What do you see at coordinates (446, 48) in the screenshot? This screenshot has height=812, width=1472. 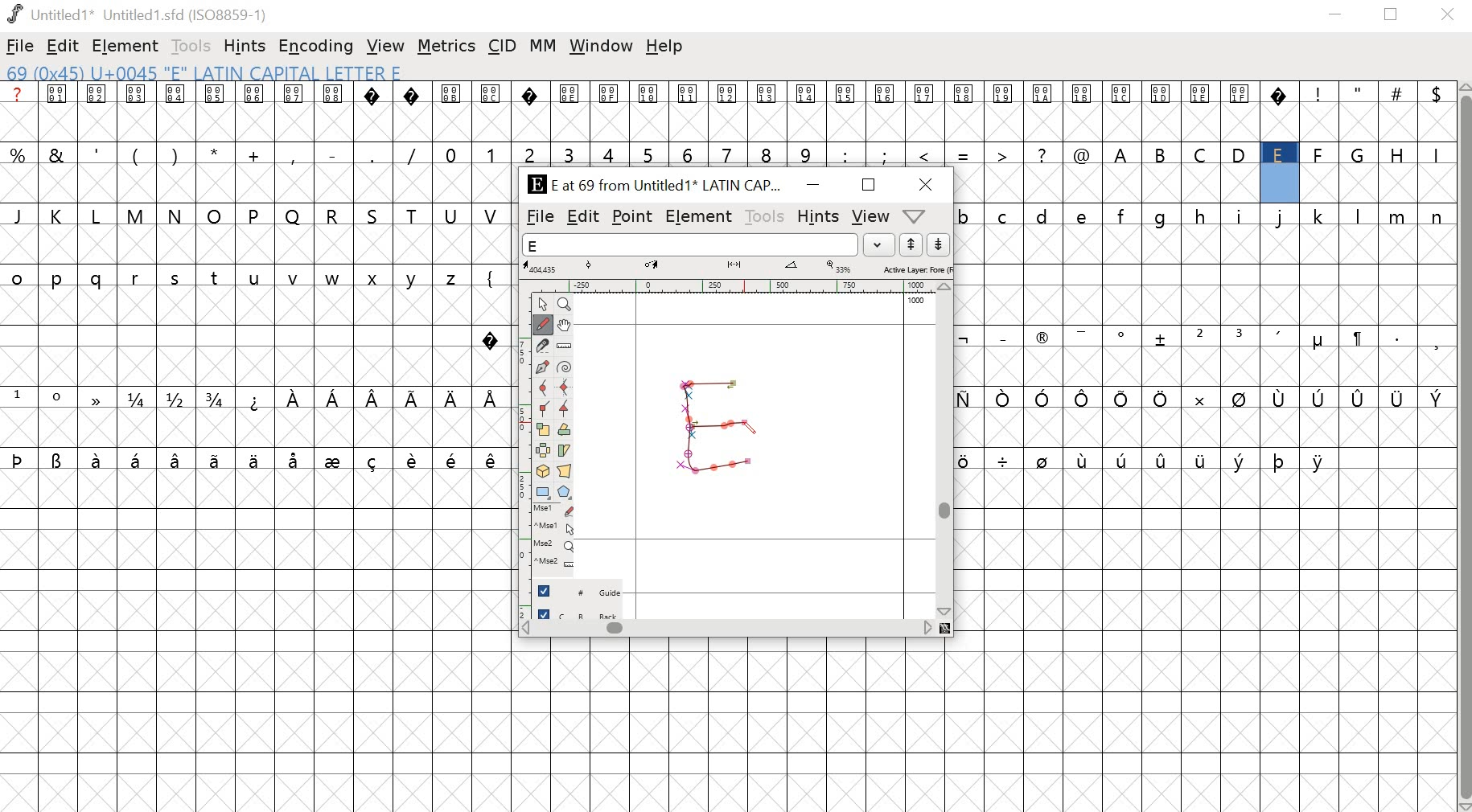 I see `metrics` at bounding box center [446, 48].